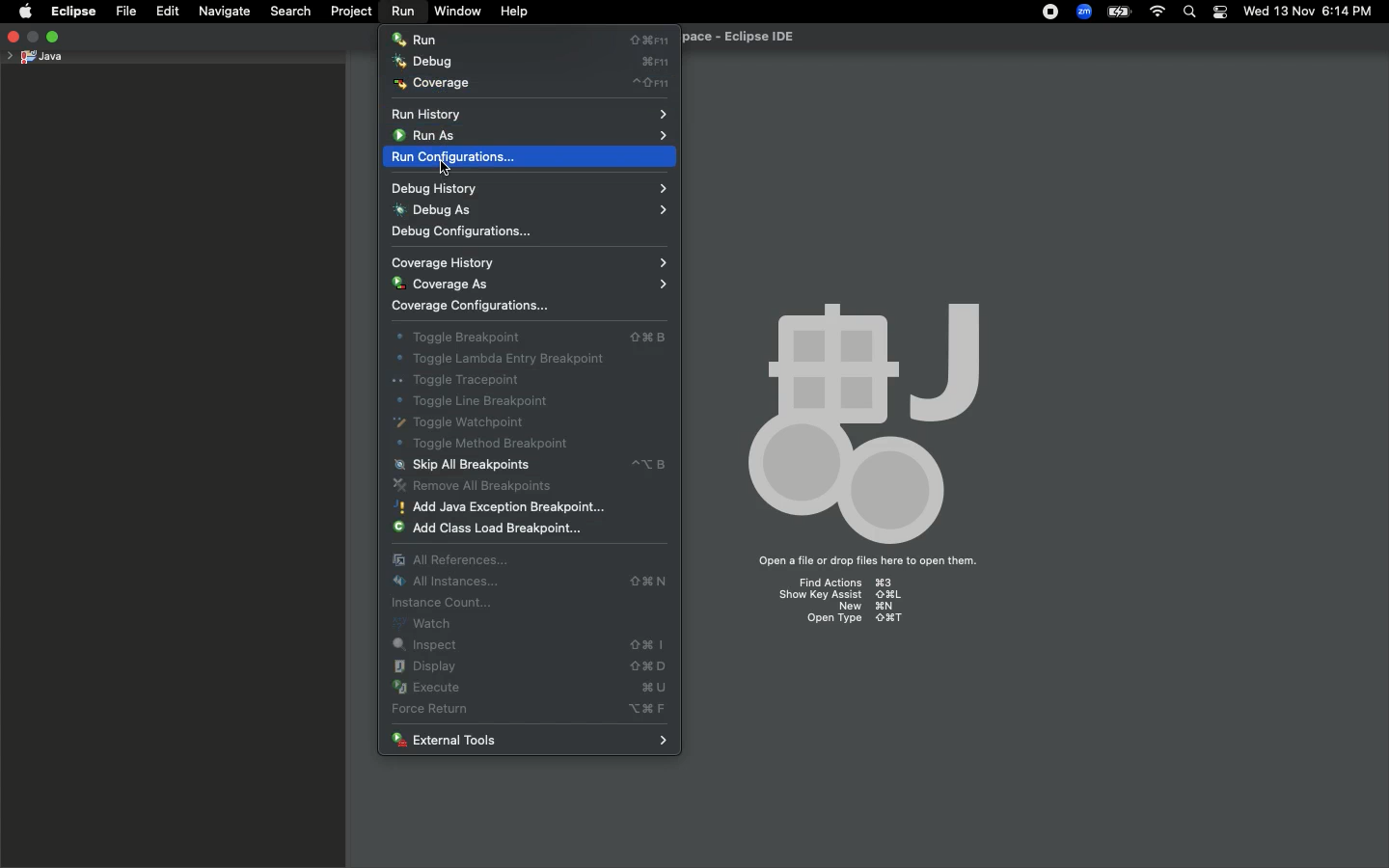 The width and height of the screenshot is (1389, 868). Describe the element at coordinates (1316, 11) in the screenshot. I see `Date/time` at that location.